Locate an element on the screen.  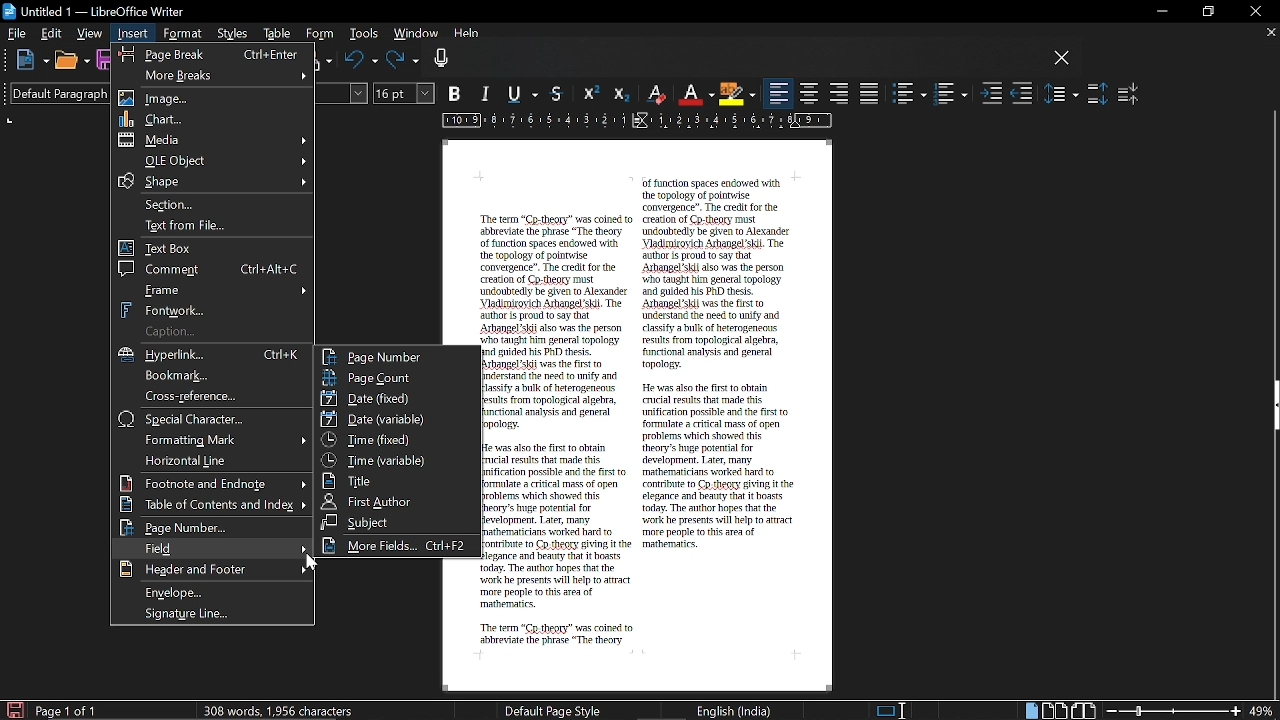
Form is located at coordinates (320, 34).